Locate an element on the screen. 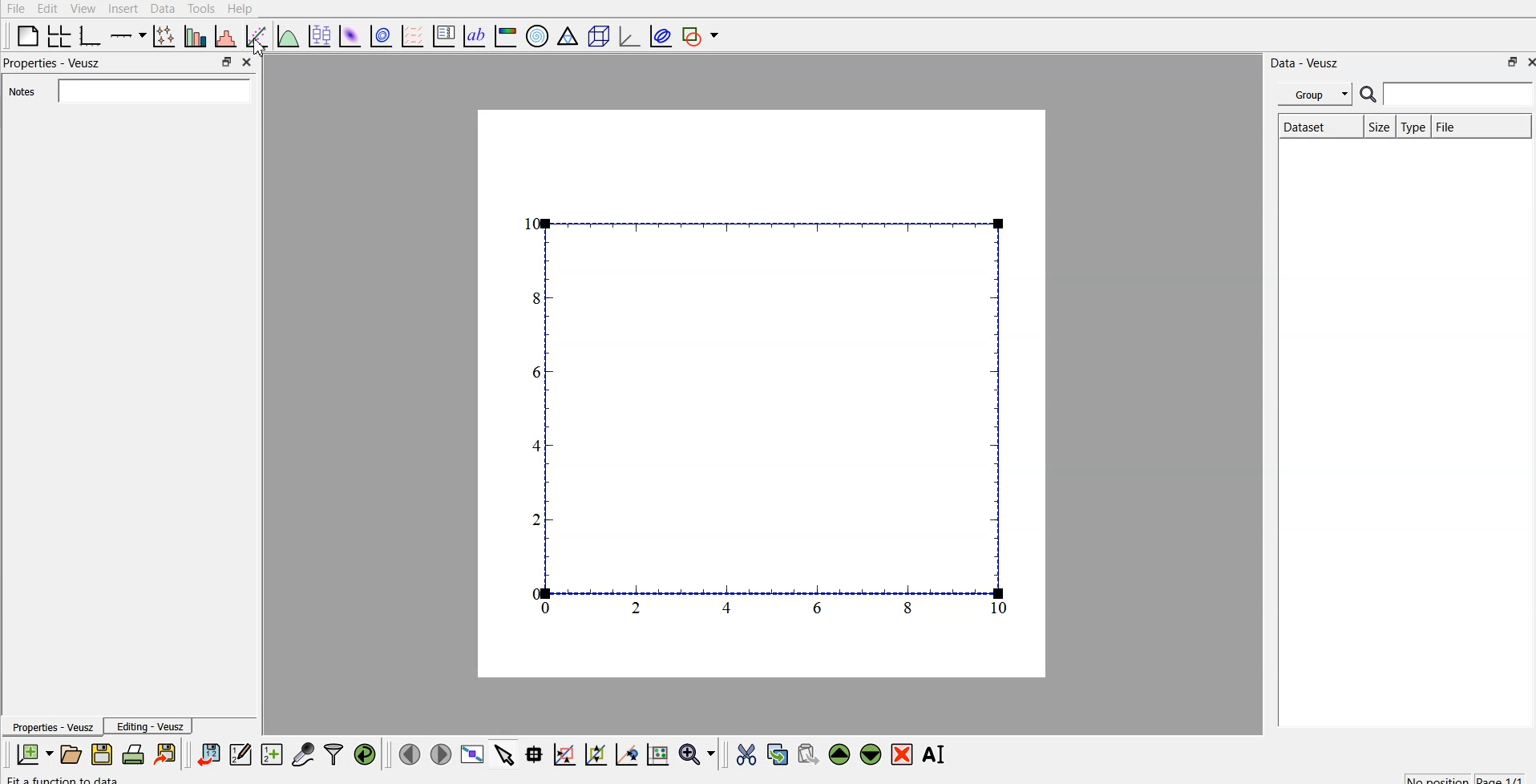 The width and height of the screenshot is (1536, 784). create new datasets is located at coordinates (270, 754).